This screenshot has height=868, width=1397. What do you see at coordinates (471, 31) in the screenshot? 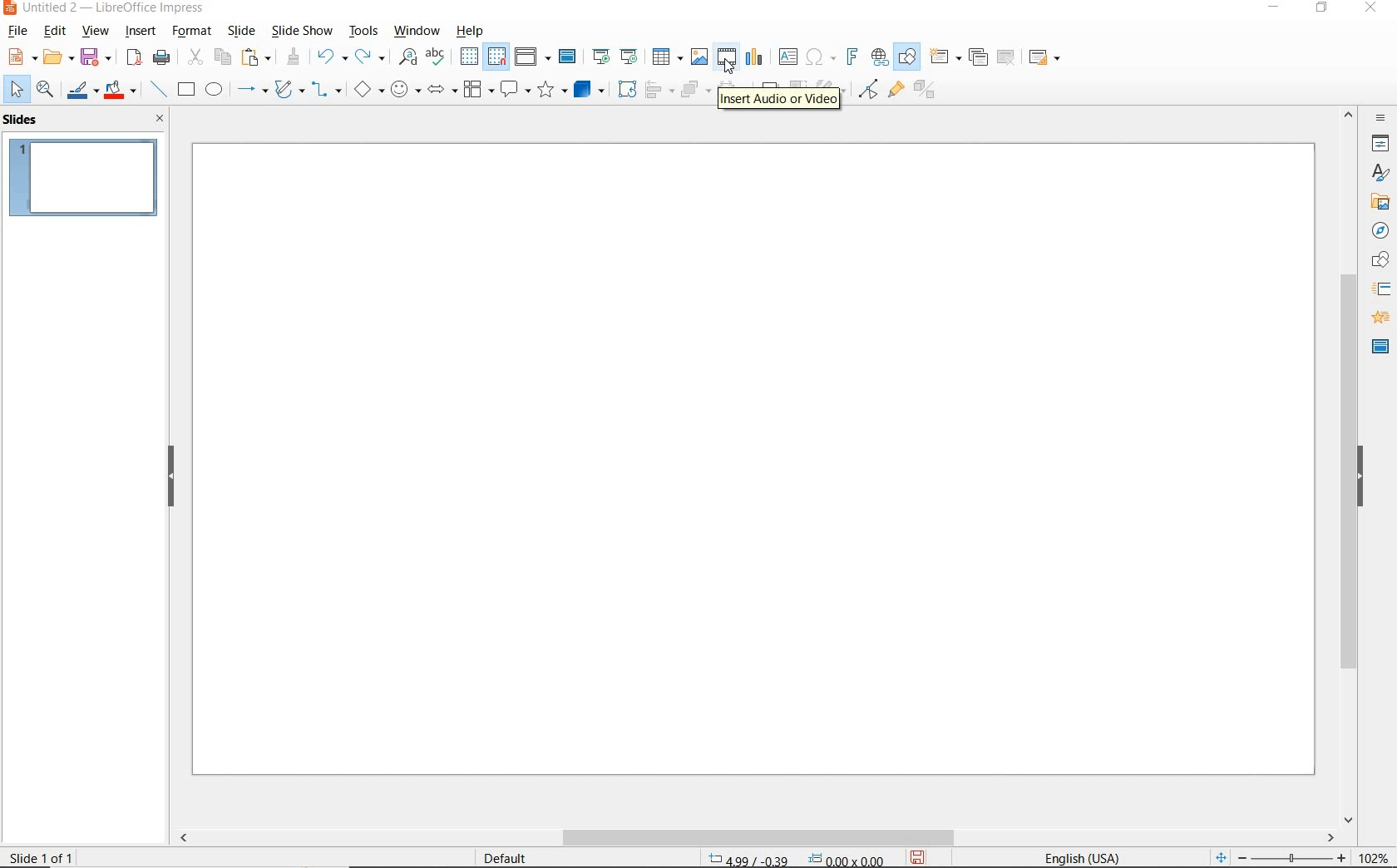
I see `HELP` at bounding box center [471, 31].